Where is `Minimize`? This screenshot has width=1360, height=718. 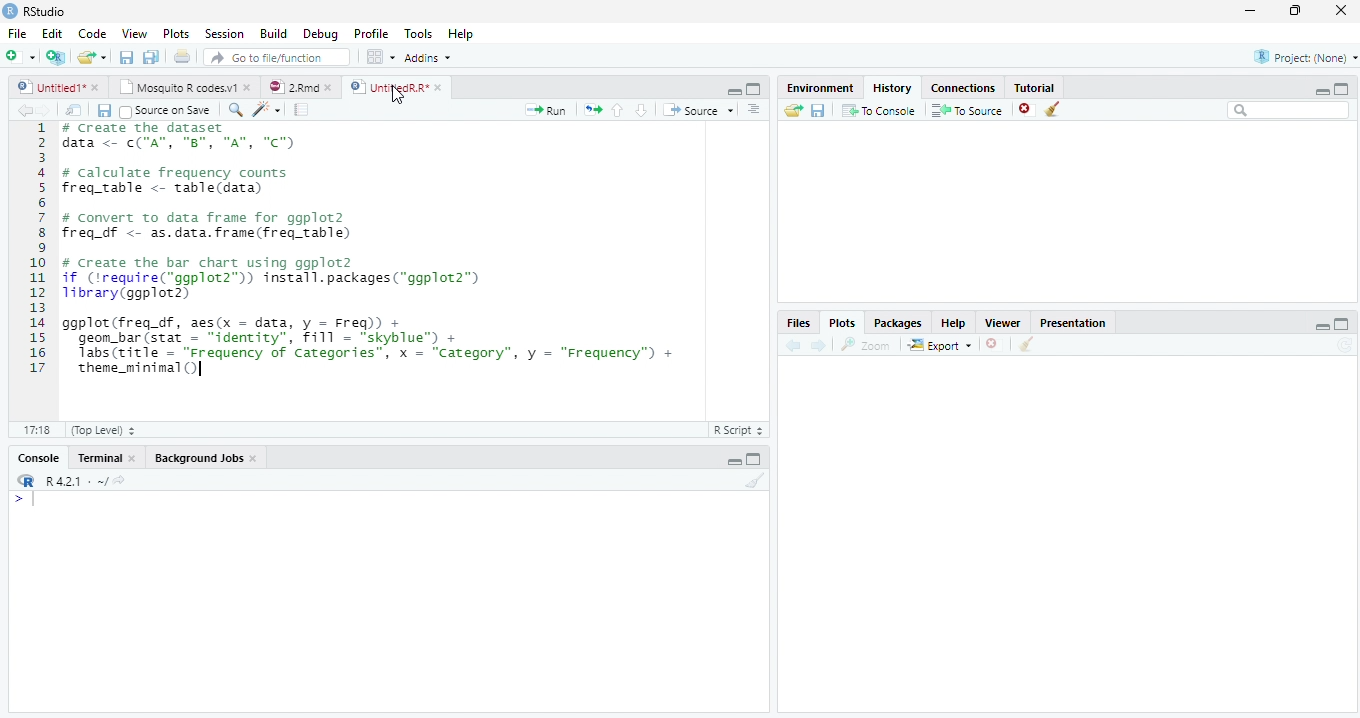 Minimize is located at coordinates (731, 90).